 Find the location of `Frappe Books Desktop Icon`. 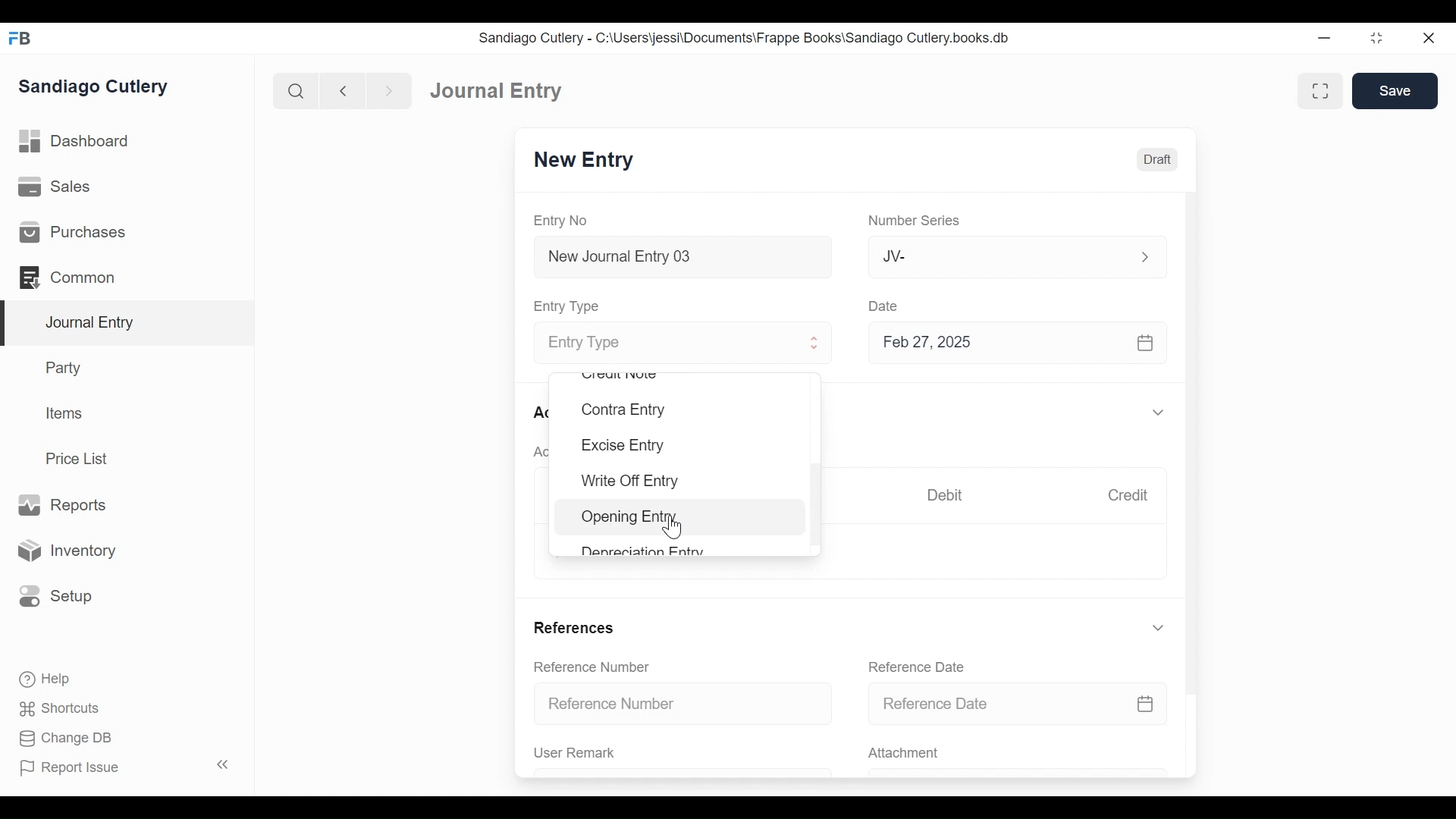

Frappe Books Desktop Icon is located at coordinates (20, 39).